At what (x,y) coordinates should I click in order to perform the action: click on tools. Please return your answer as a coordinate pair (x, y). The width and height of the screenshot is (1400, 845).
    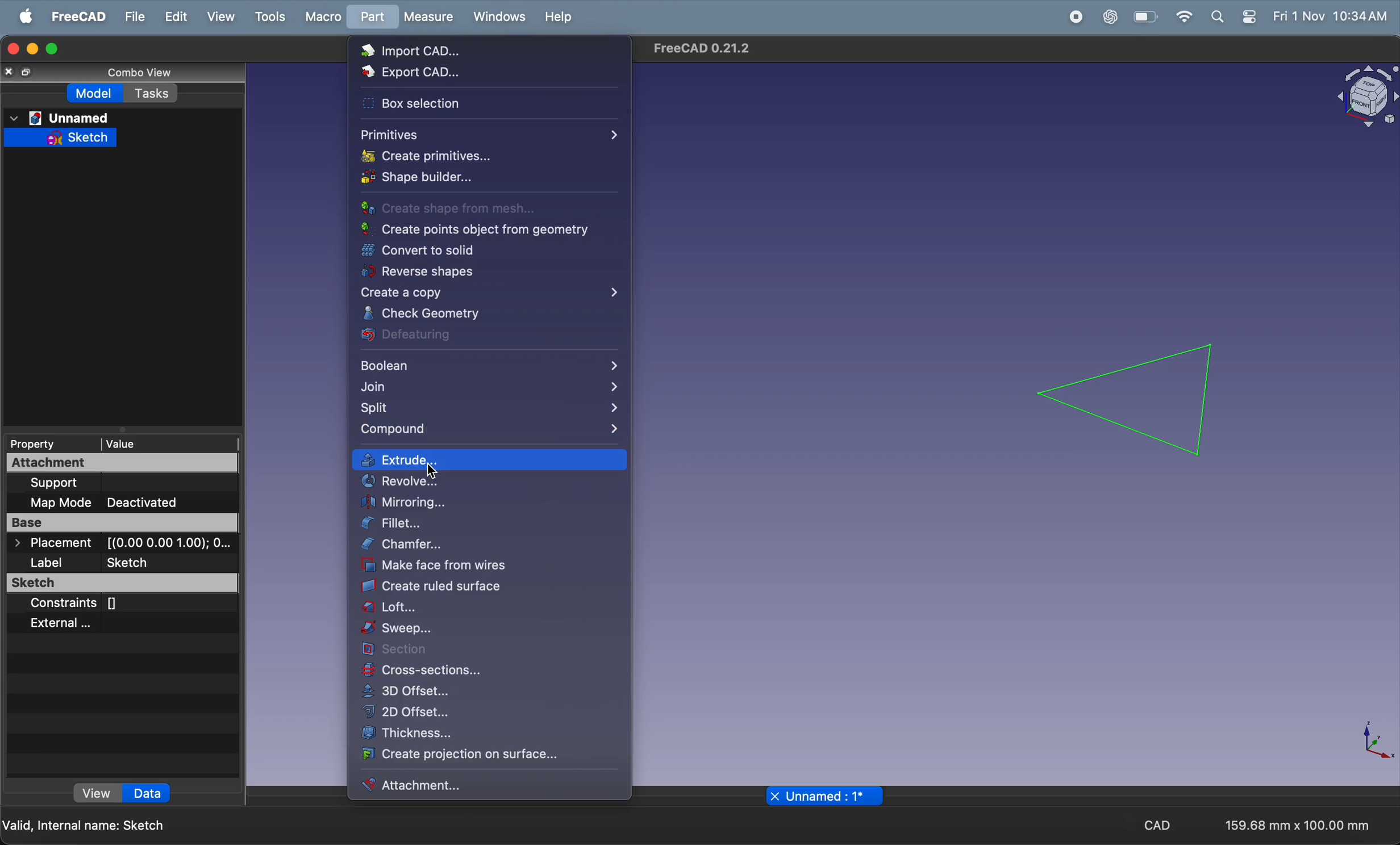
    Looking at the image, I should click on (270, 15).